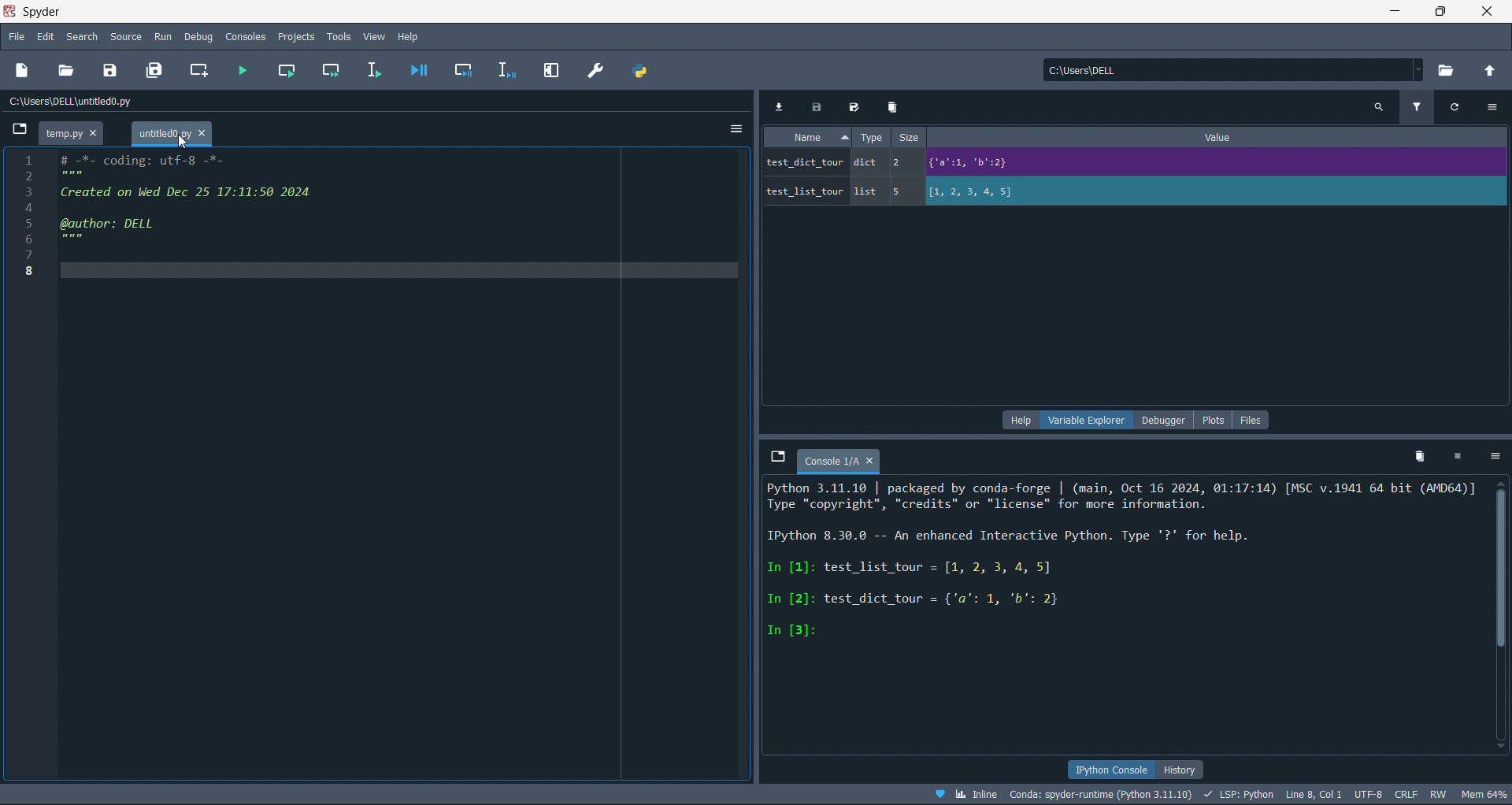 Image resolution: width=1512 pixels, height=805 pixels. What do you see at coordinates (1101, 794) in the screenshot?
I see `Conda: spyder-runtime(Python 3.11.10))` at bounding box center [1101, 794].